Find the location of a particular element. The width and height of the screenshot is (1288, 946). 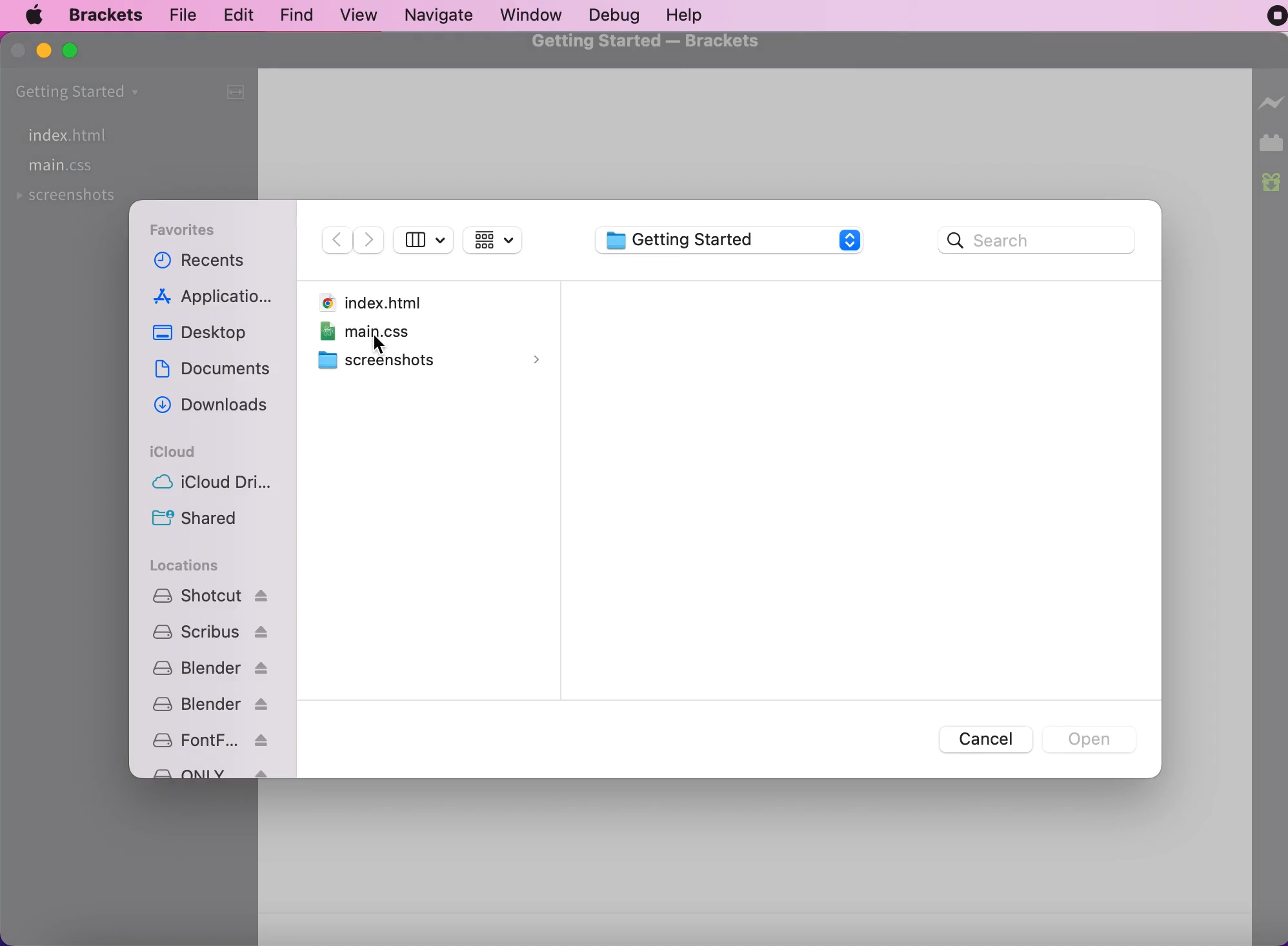

favorites is located at coordinates (194, 229).